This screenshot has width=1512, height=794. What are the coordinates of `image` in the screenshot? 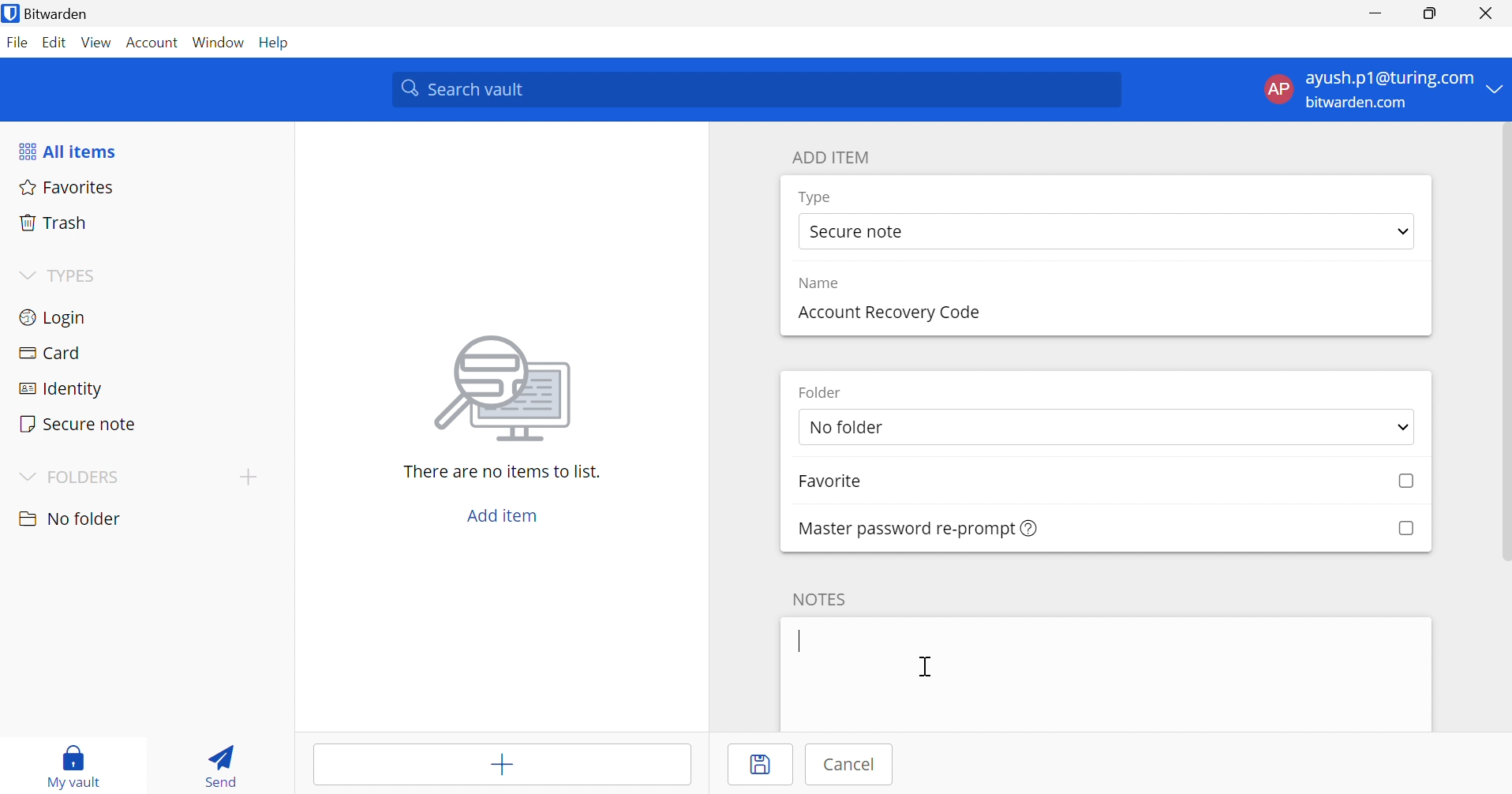 It's located at (508, 388).